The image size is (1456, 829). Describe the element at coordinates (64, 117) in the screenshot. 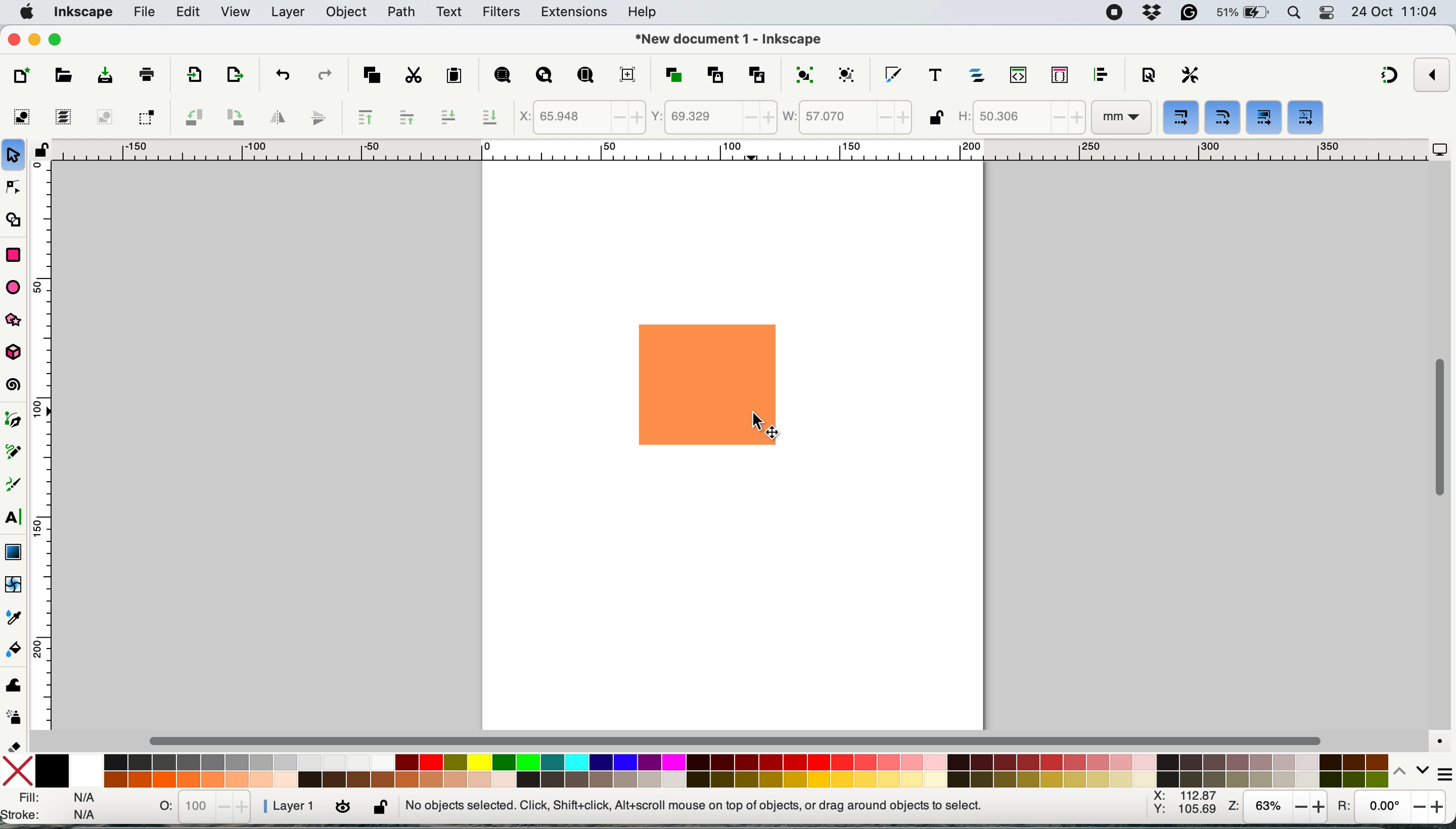

I see `select all in all layers` at that location.